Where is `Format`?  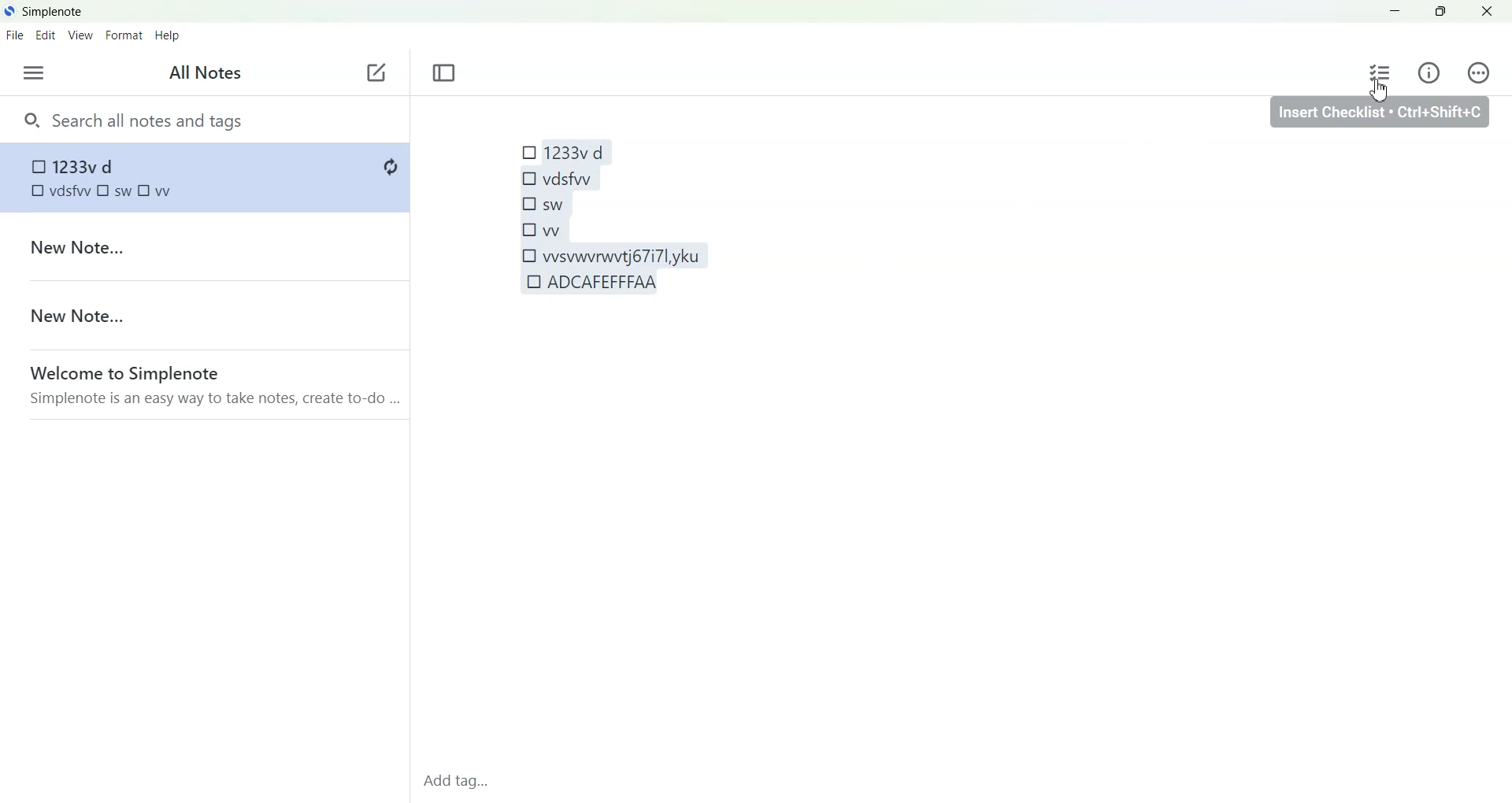
Format is located at coordinates (124, 35).